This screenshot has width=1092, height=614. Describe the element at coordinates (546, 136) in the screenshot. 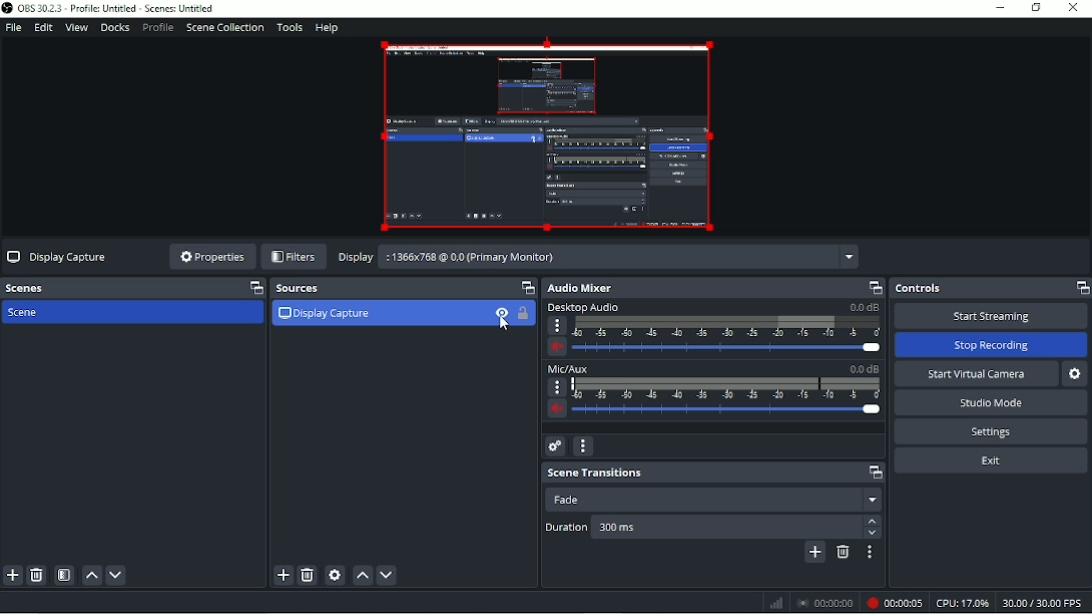

I see `Video` at that location.